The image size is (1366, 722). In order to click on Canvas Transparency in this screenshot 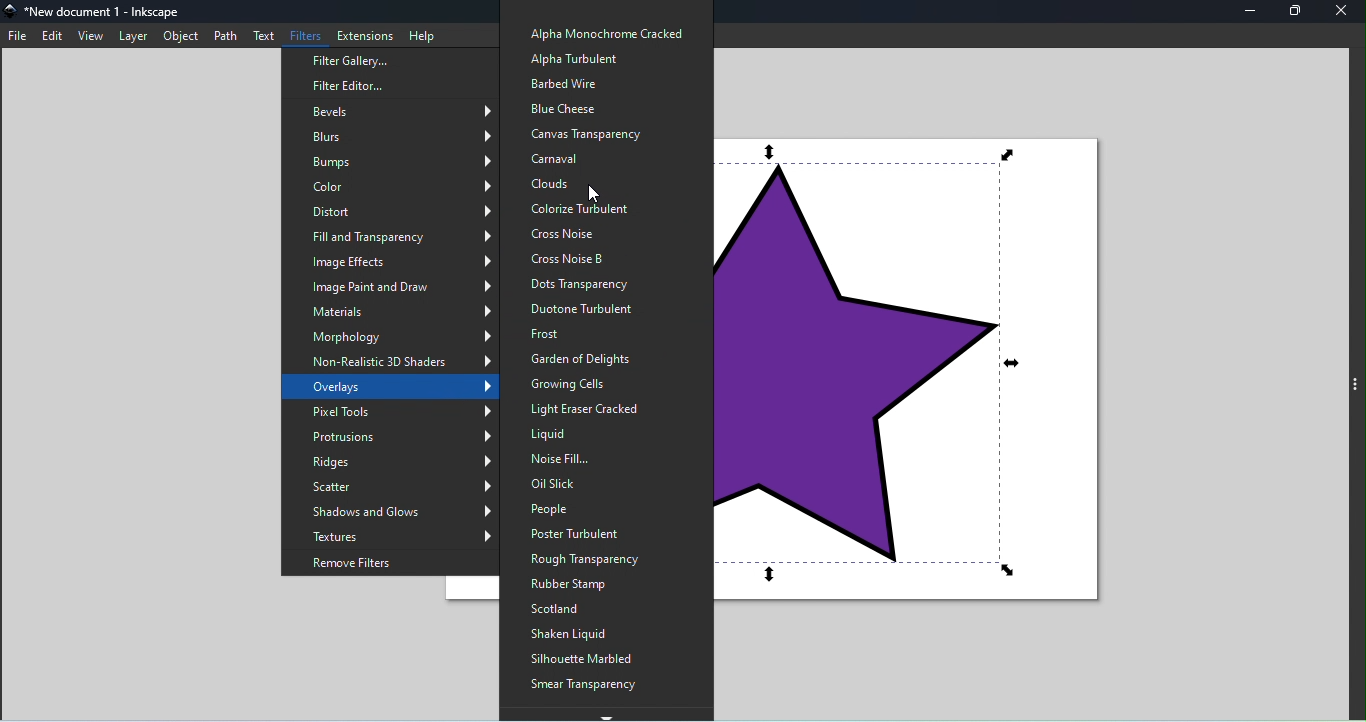, I will do `click(592, 133)`.